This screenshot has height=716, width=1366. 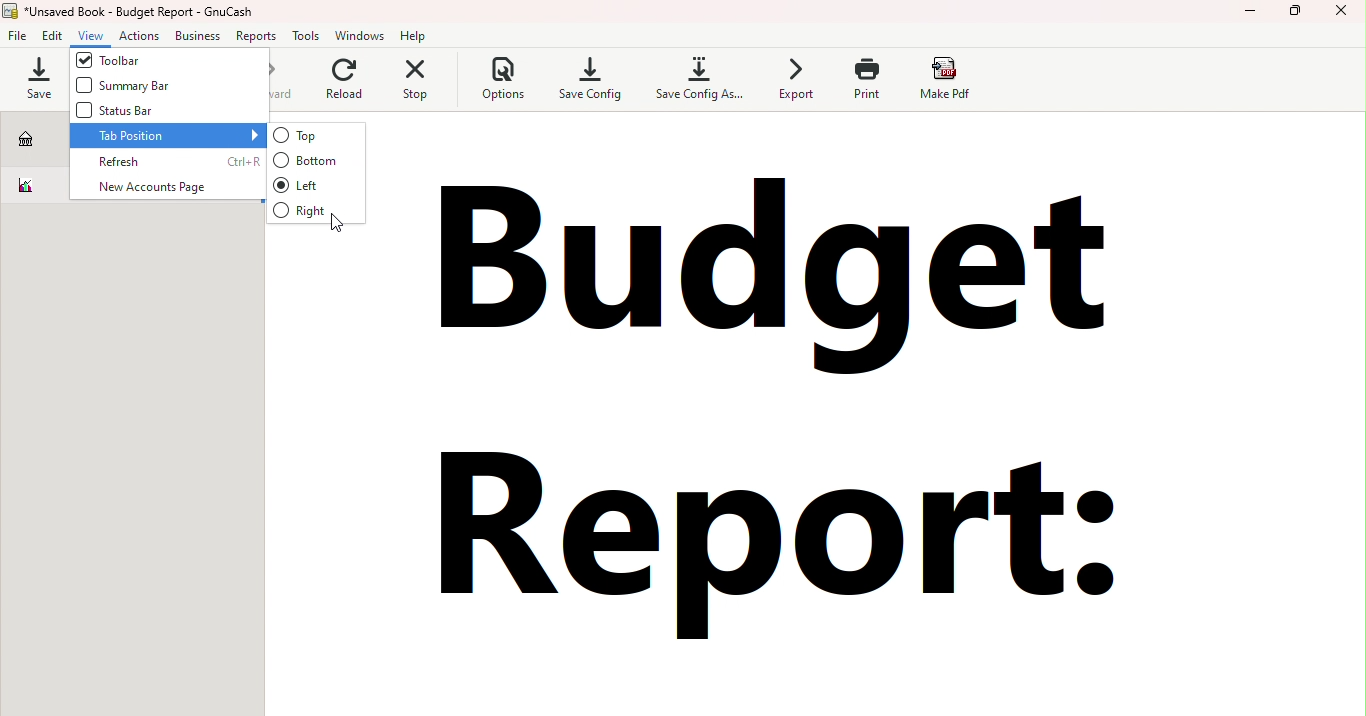 I want to click on Right, so click(x=315, y=210).